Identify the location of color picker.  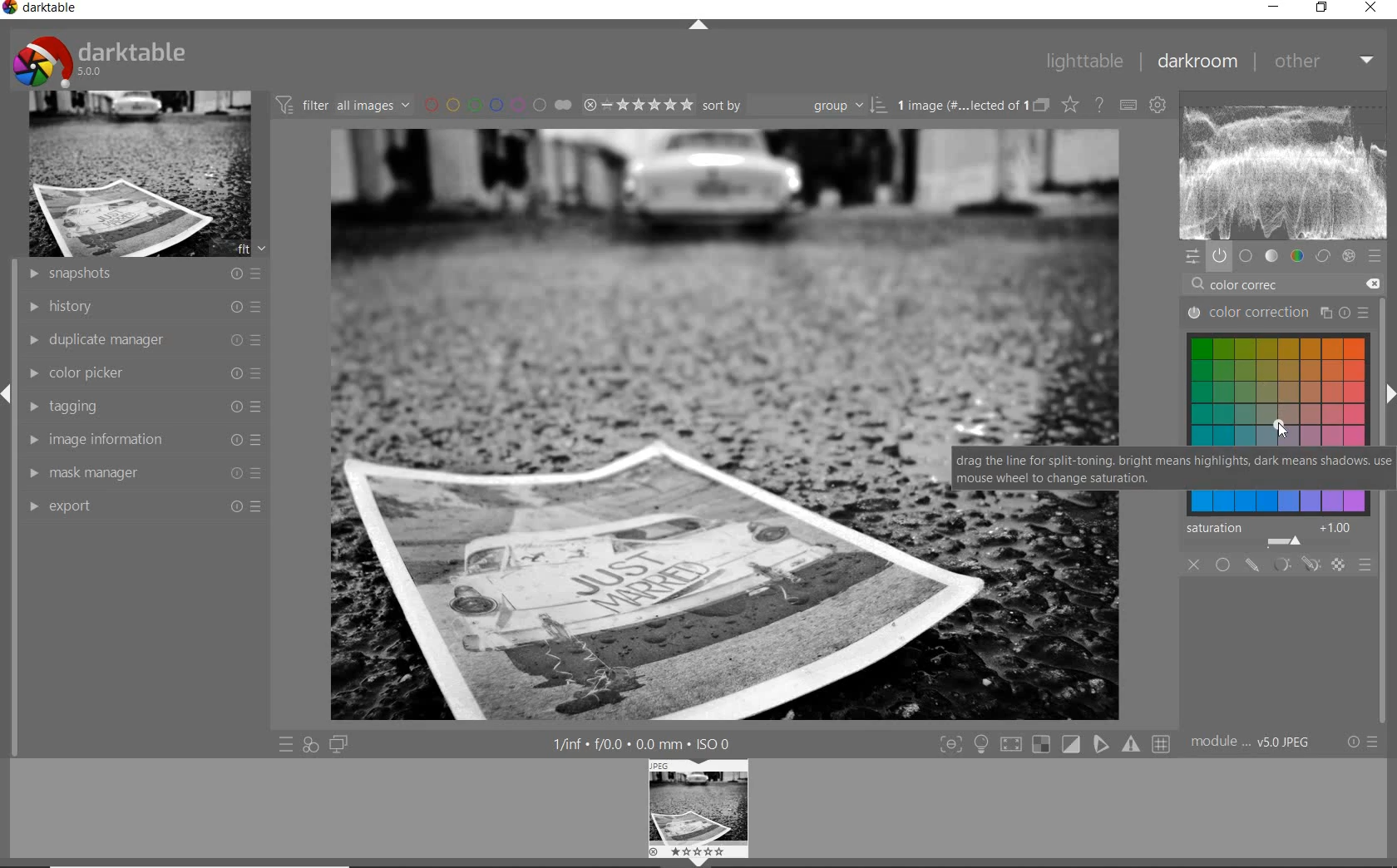
(146, 373).